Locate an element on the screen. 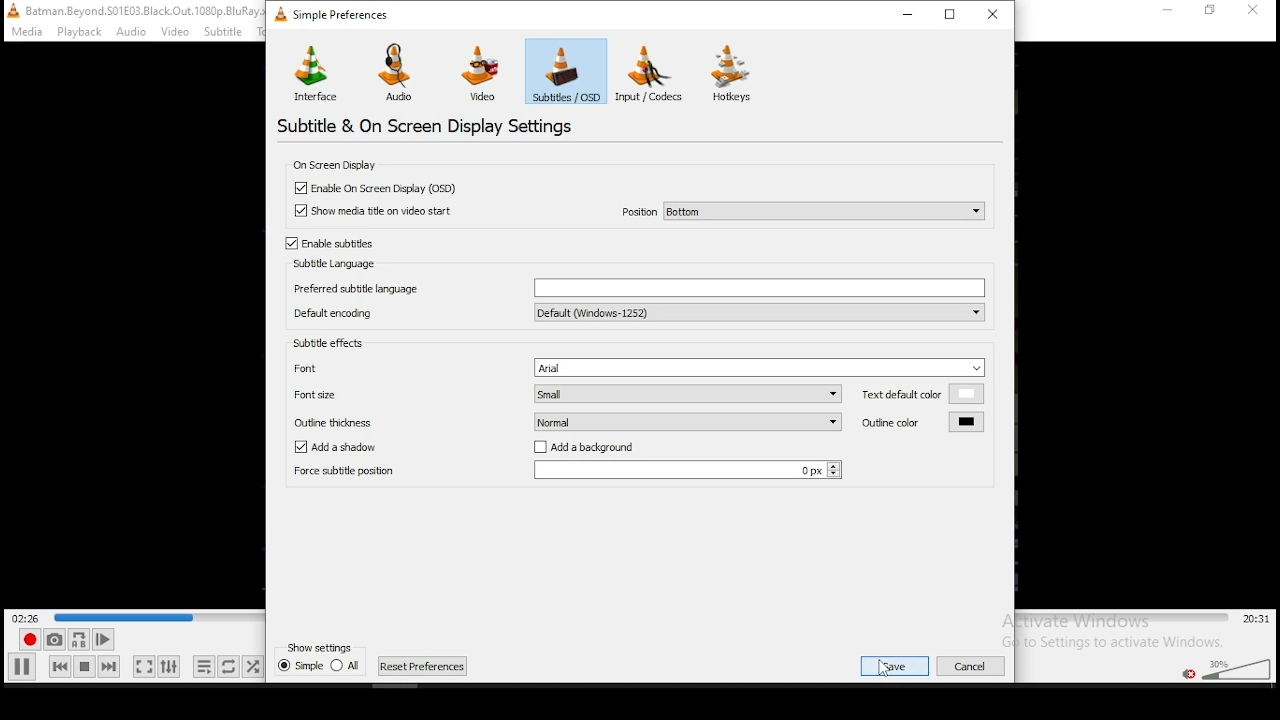 This screenshot has width=1280, height=720.  is located at coordinates (78, 32).